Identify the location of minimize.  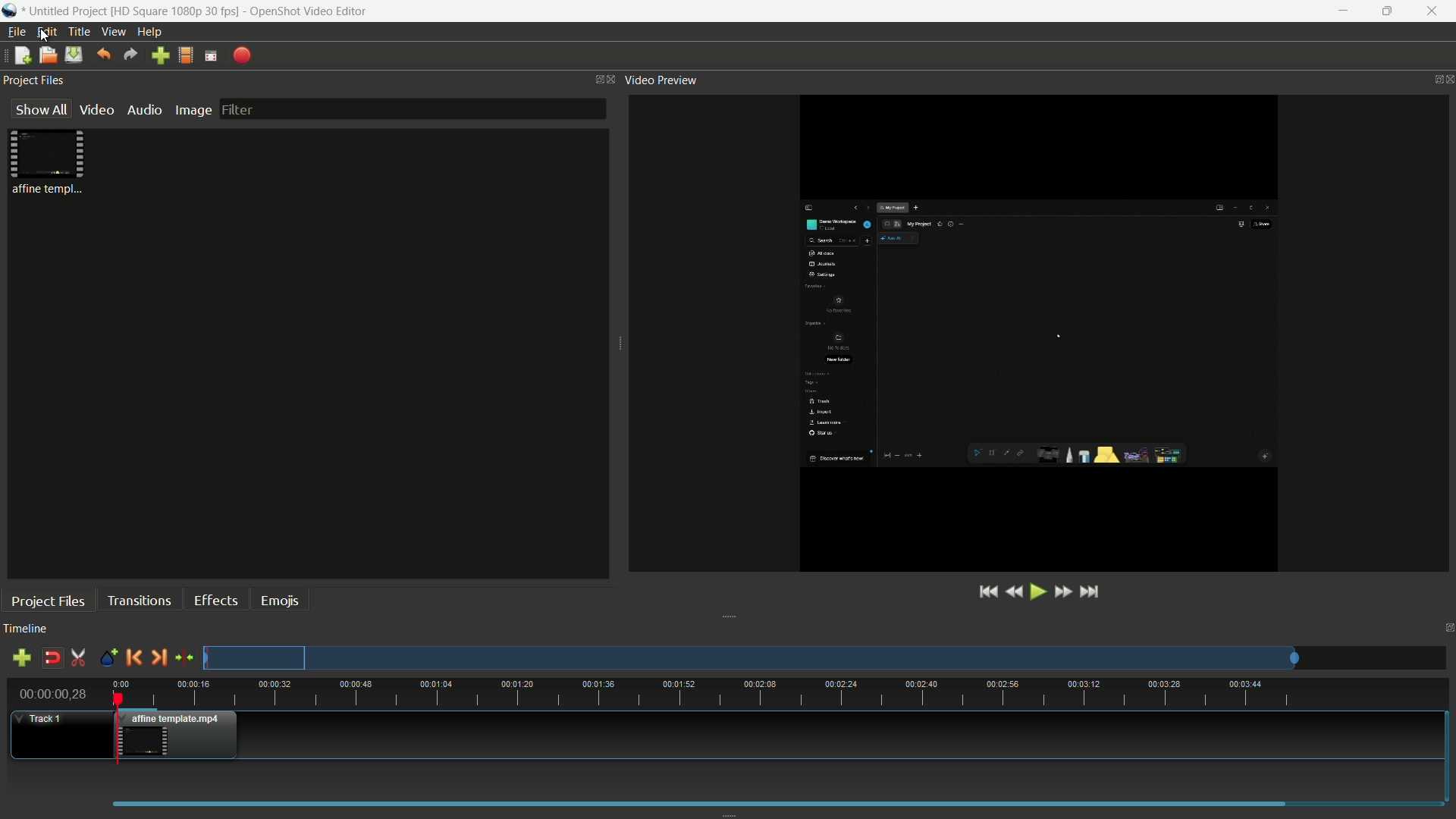
(1339, 11).